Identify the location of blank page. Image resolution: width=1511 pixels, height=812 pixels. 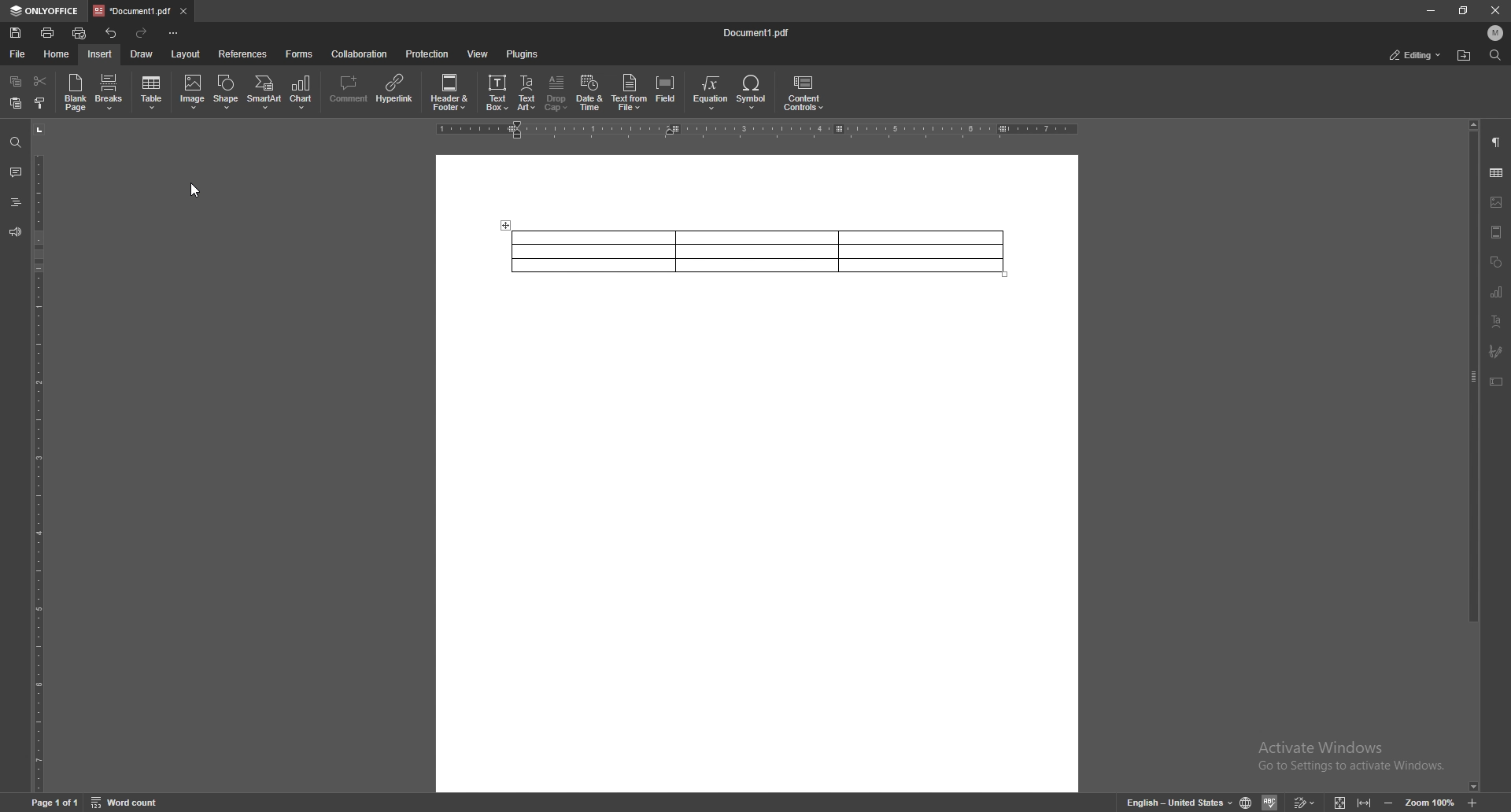
(76, 94).